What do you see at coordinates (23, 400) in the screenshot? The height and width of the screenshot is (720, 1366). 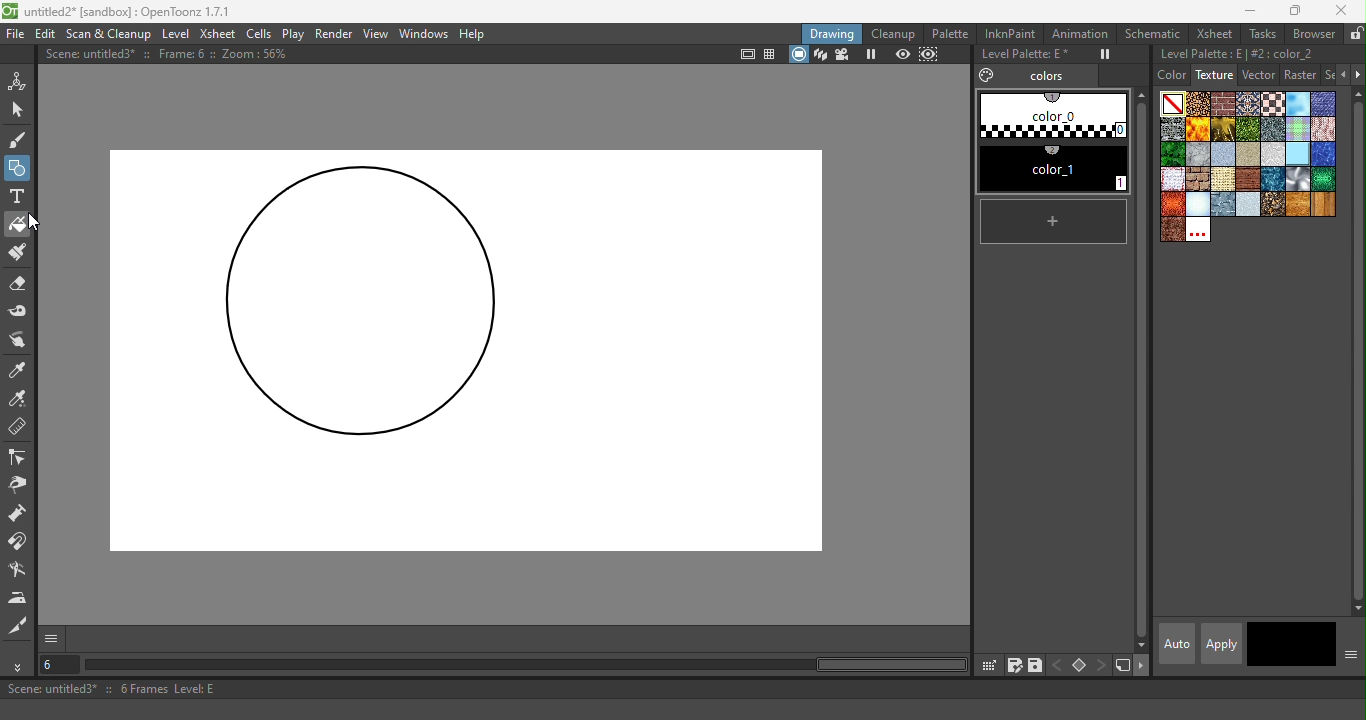 I see `RGB Picker tool` at bounding box center [23, 400].